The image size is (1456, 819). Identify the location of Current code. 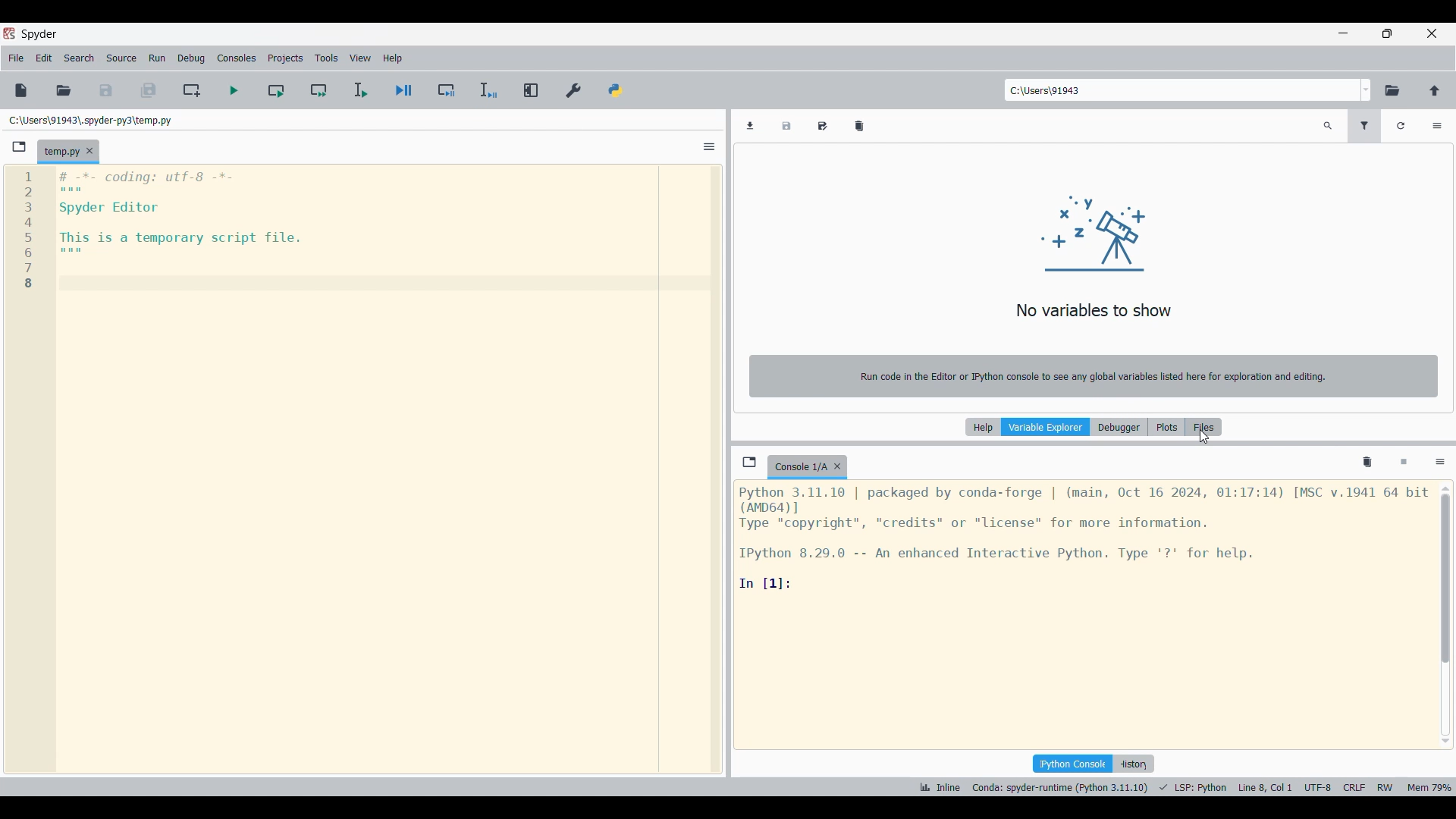
(156, 231).